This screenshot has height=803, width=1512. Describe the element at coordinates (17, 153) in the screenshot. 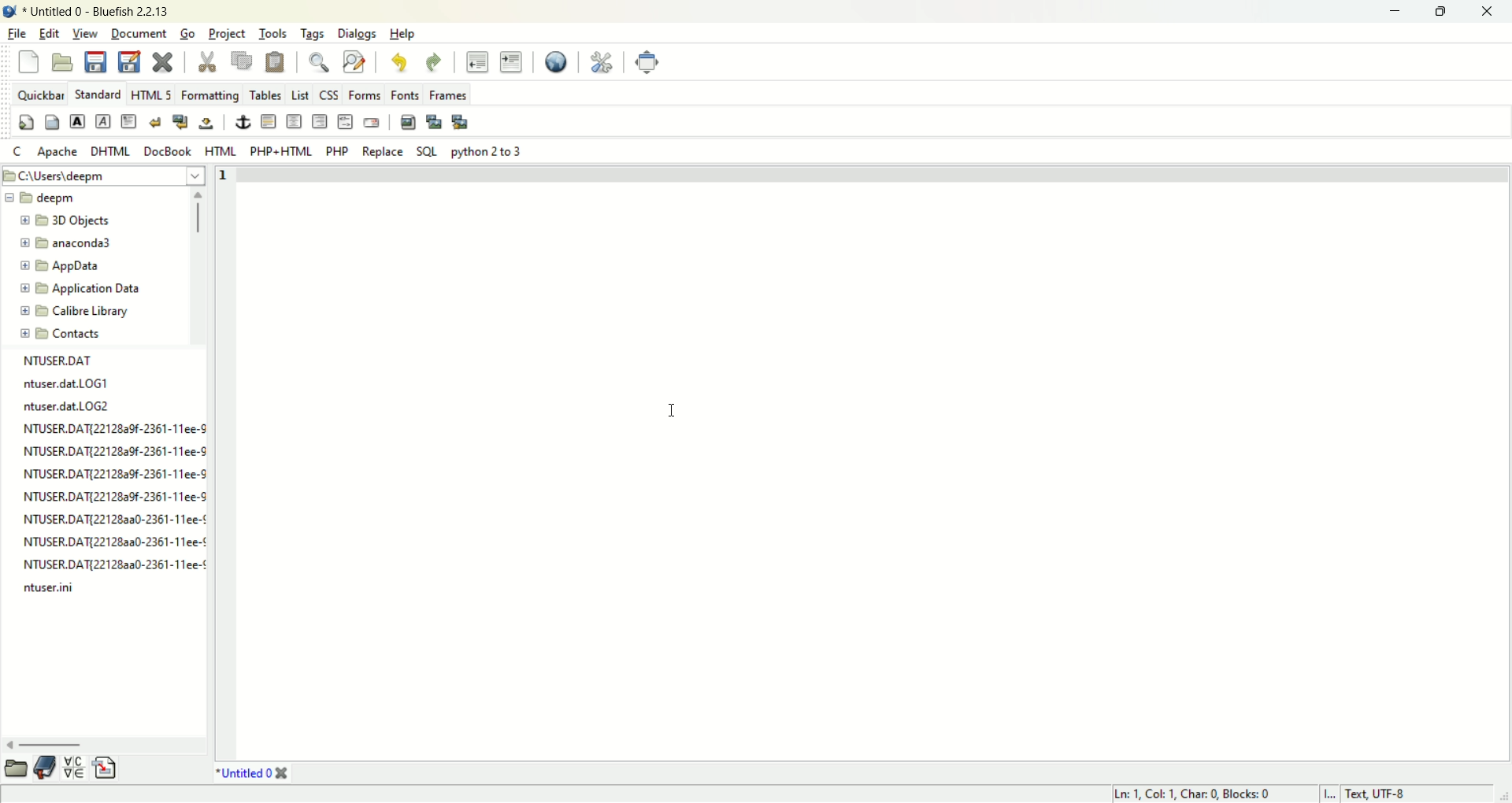

I see `c` at that location.